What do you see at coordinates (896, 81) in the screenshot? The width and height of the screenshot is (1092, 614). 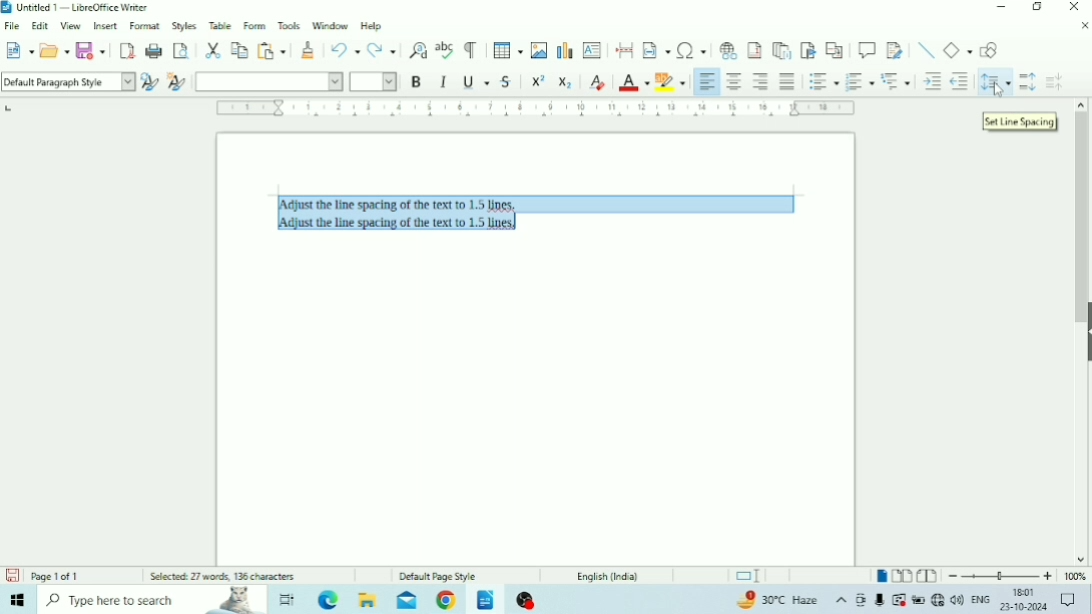 I see `Select Outline Format` at bounding box center [896, 81].